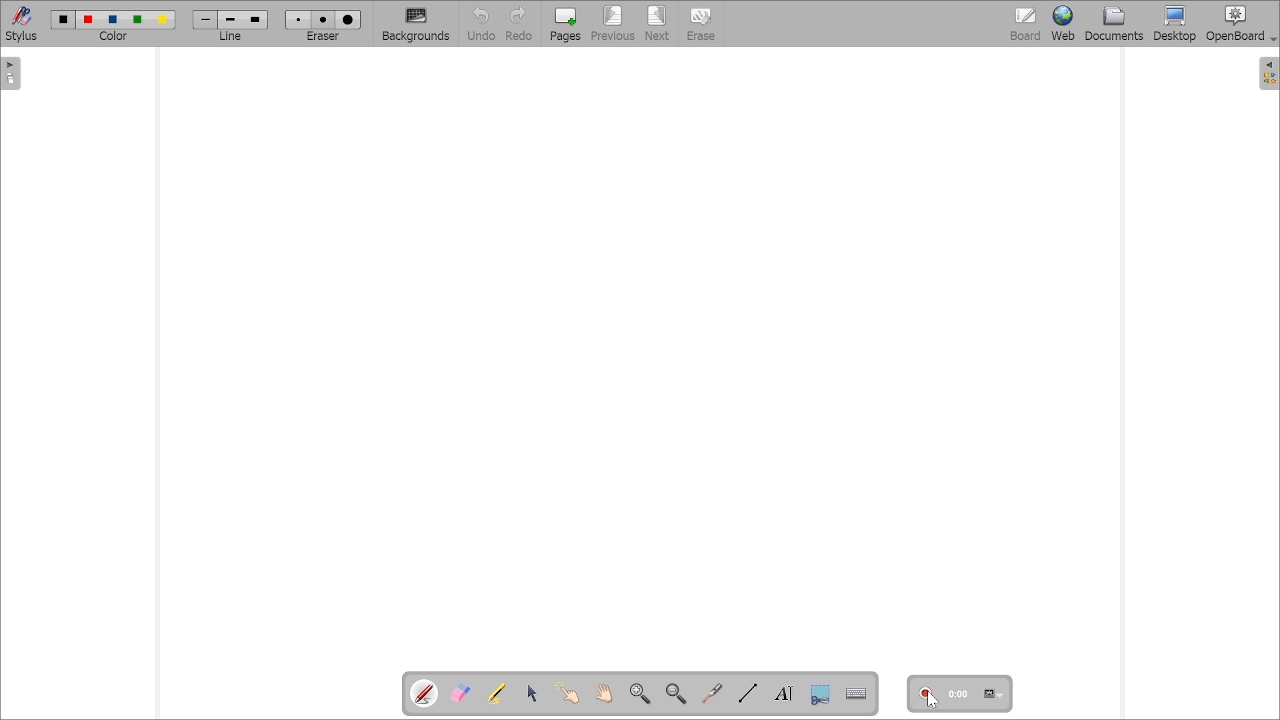 The image size is (1280, 720). What do you see at coordinates (11, 73) in the screenshot?
I see `show sidebar` at bounding box center [11, 73].